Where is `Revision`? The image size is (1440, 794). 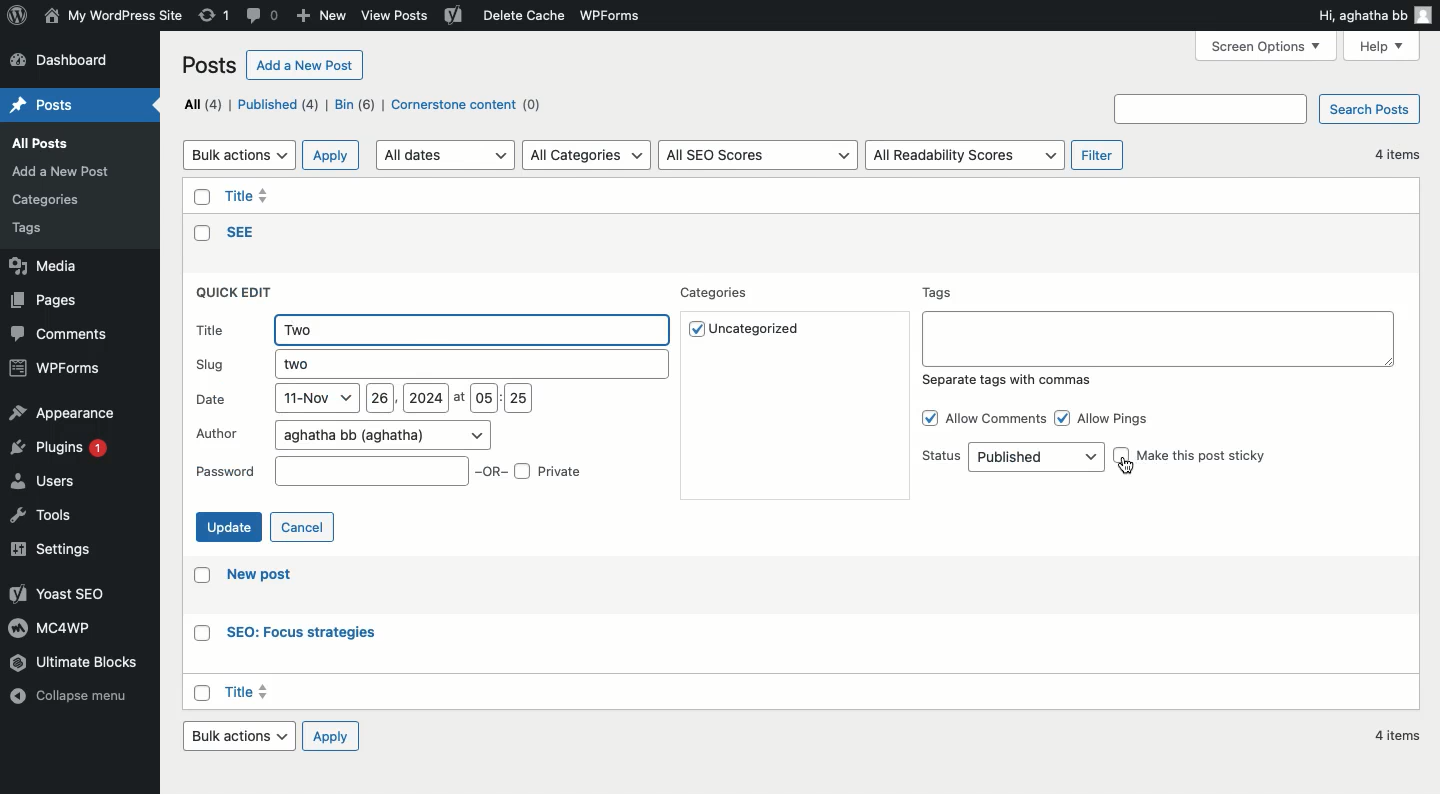 Revision is located at coordinates (215, 17).